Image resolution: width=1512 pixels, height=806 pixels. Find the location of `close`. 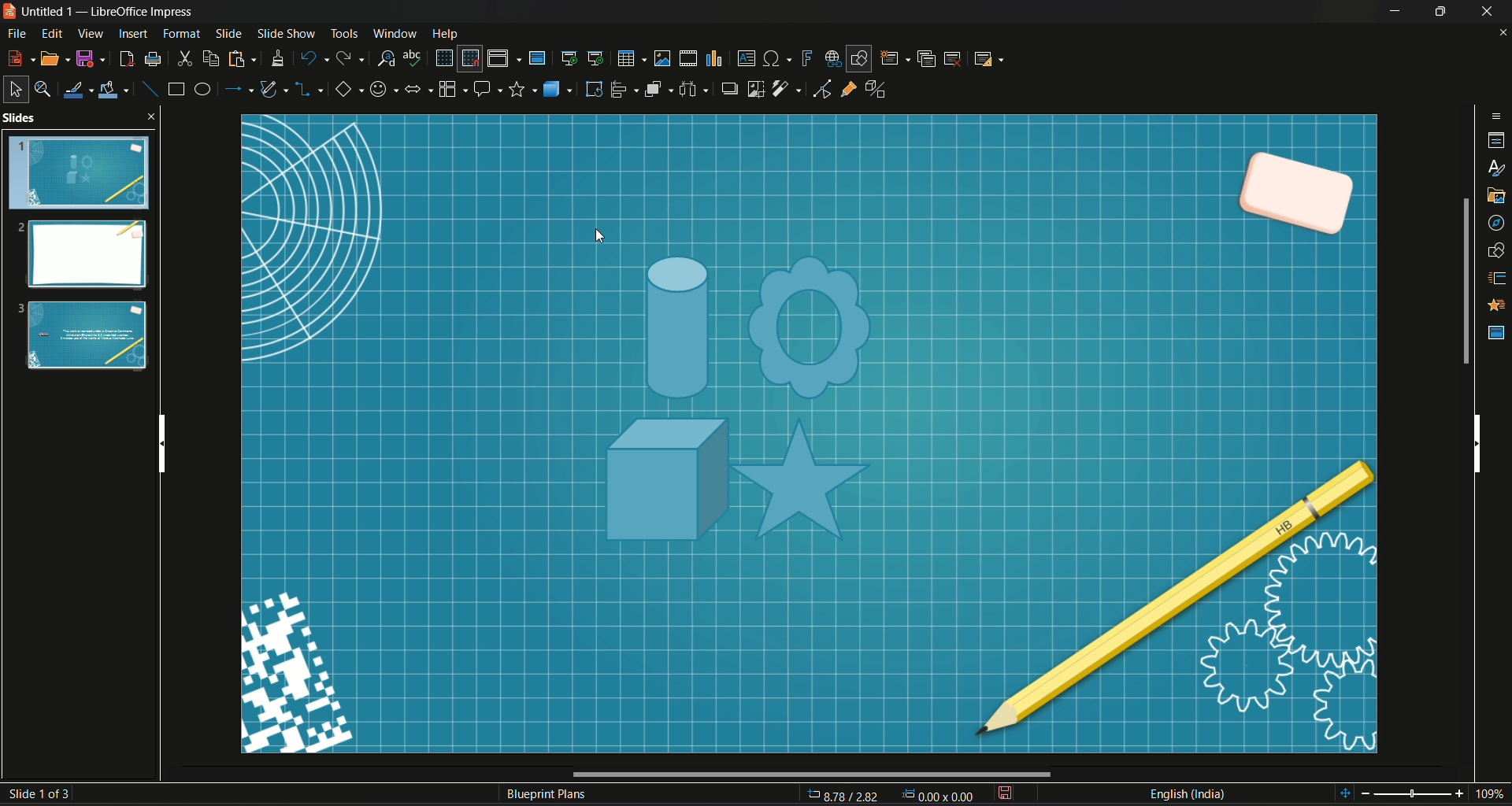

close is located at coordinates (1503, 34).